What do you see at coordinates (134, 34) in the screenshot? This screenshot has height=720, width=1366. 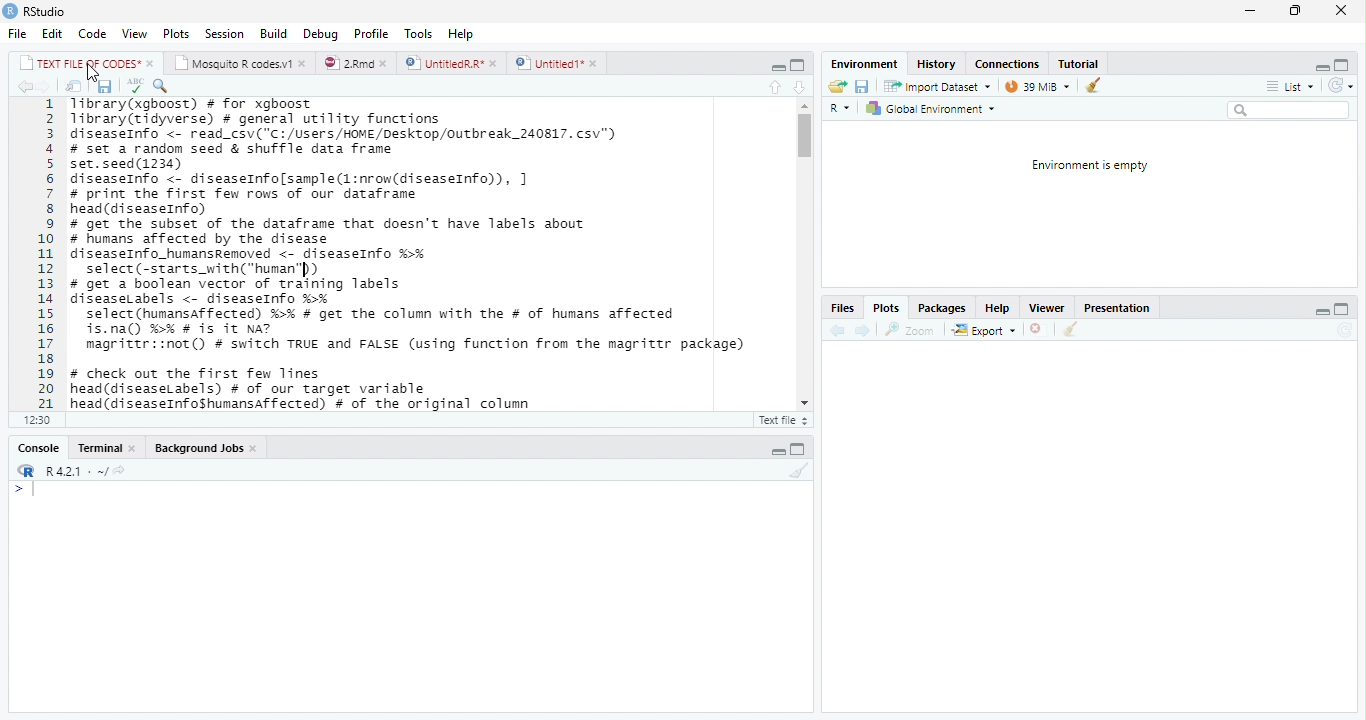 I see `View` at bounding box center [134, 34].